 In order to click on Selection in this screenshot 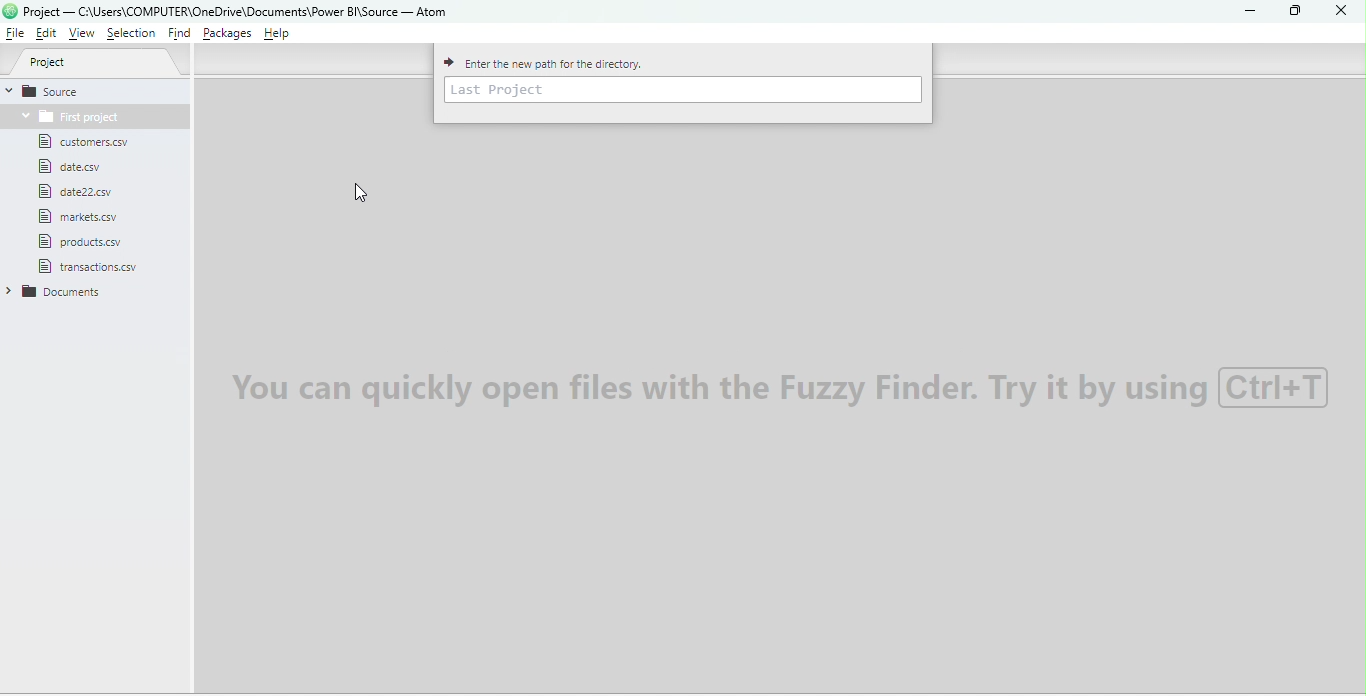, I will do `click(134, 36)`.